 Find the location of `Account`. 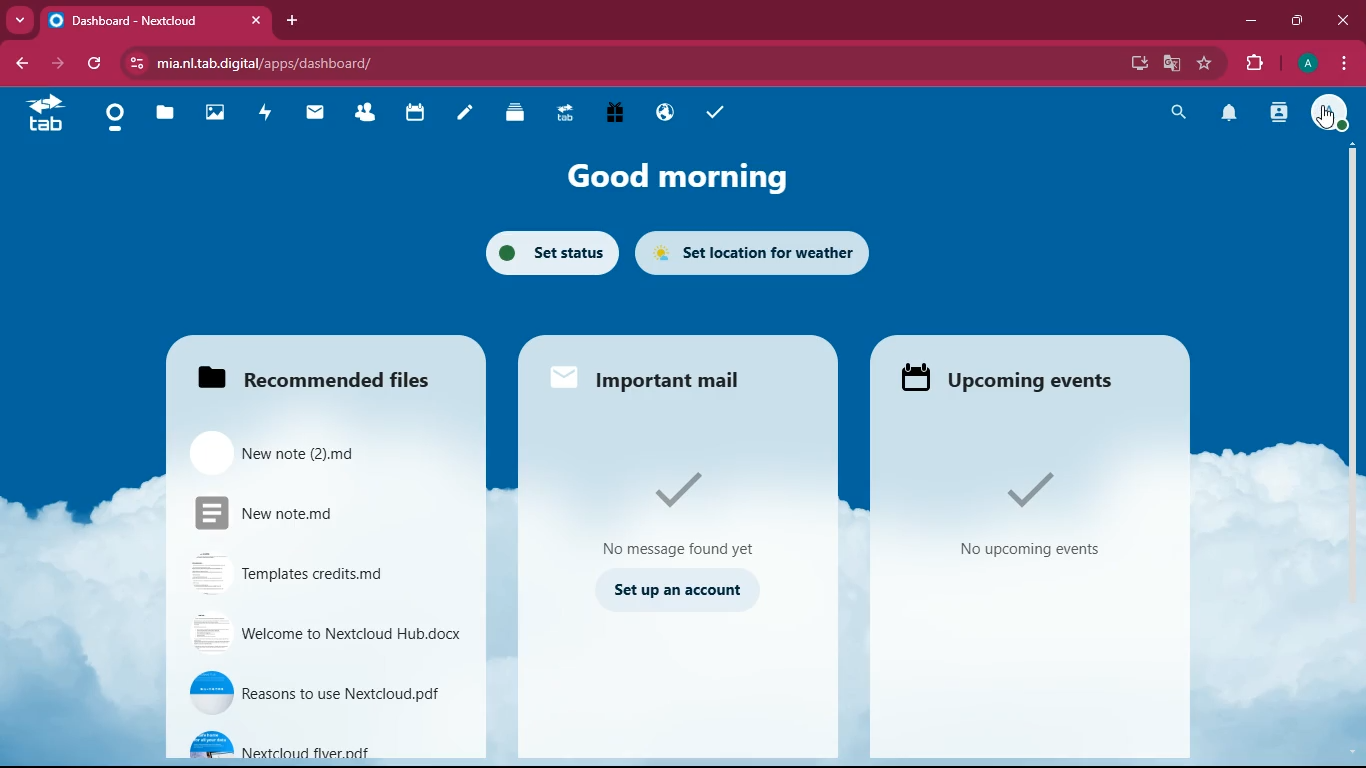

Account is located at coordinates (1305, 61).